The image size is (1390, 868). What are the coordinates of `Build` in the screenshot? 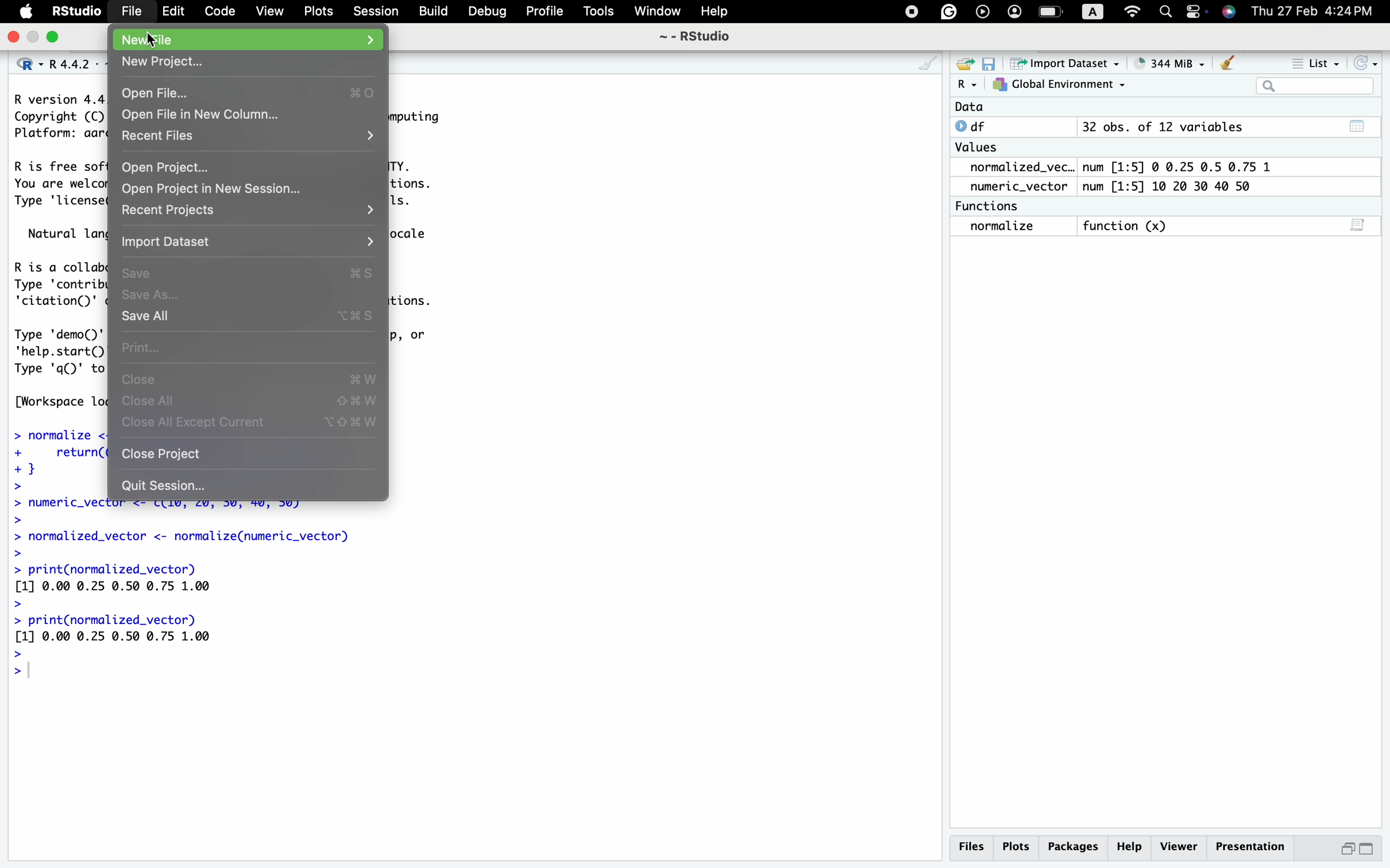 It's located at (434, 14).